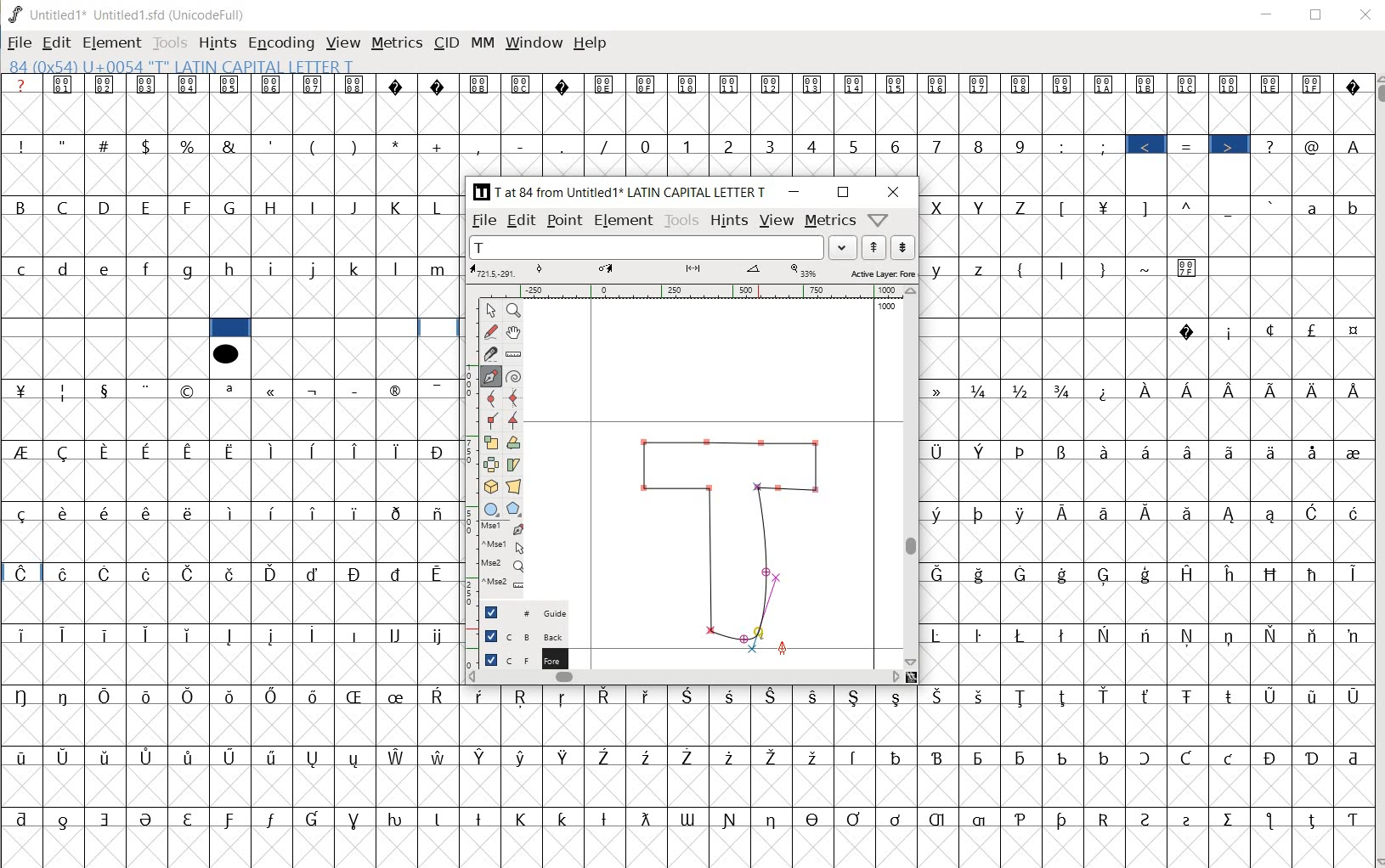 This screenshot has height=868, width=1385. What do you see at coordinates (979, 145) in the screenshot?
I see `8` at bounding box center [979, 145].